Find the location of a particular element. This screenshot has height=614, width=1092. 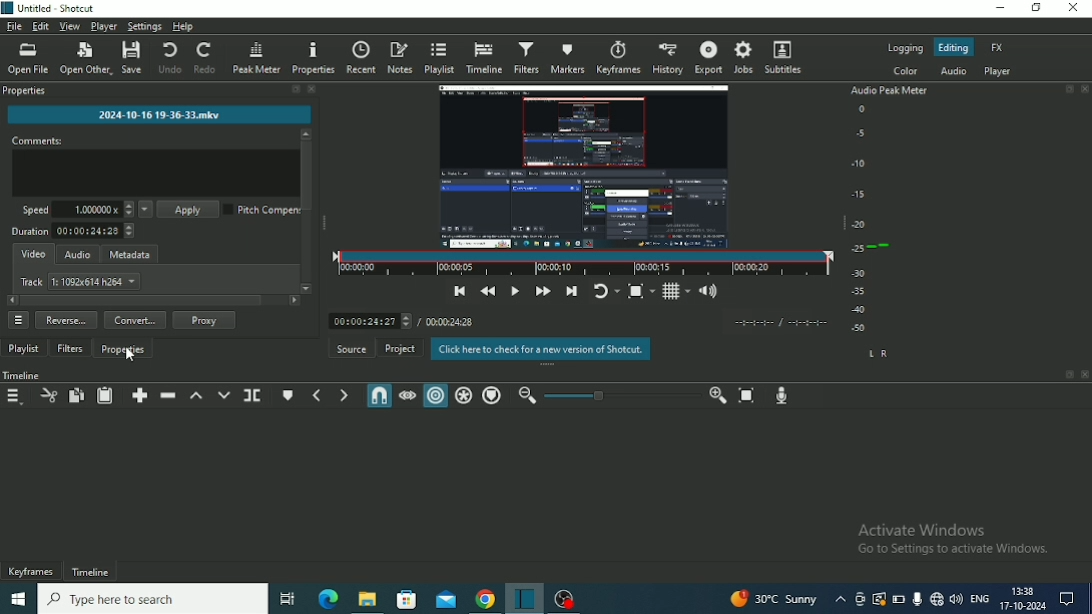

Playlist is located at coordinates (23, 350).